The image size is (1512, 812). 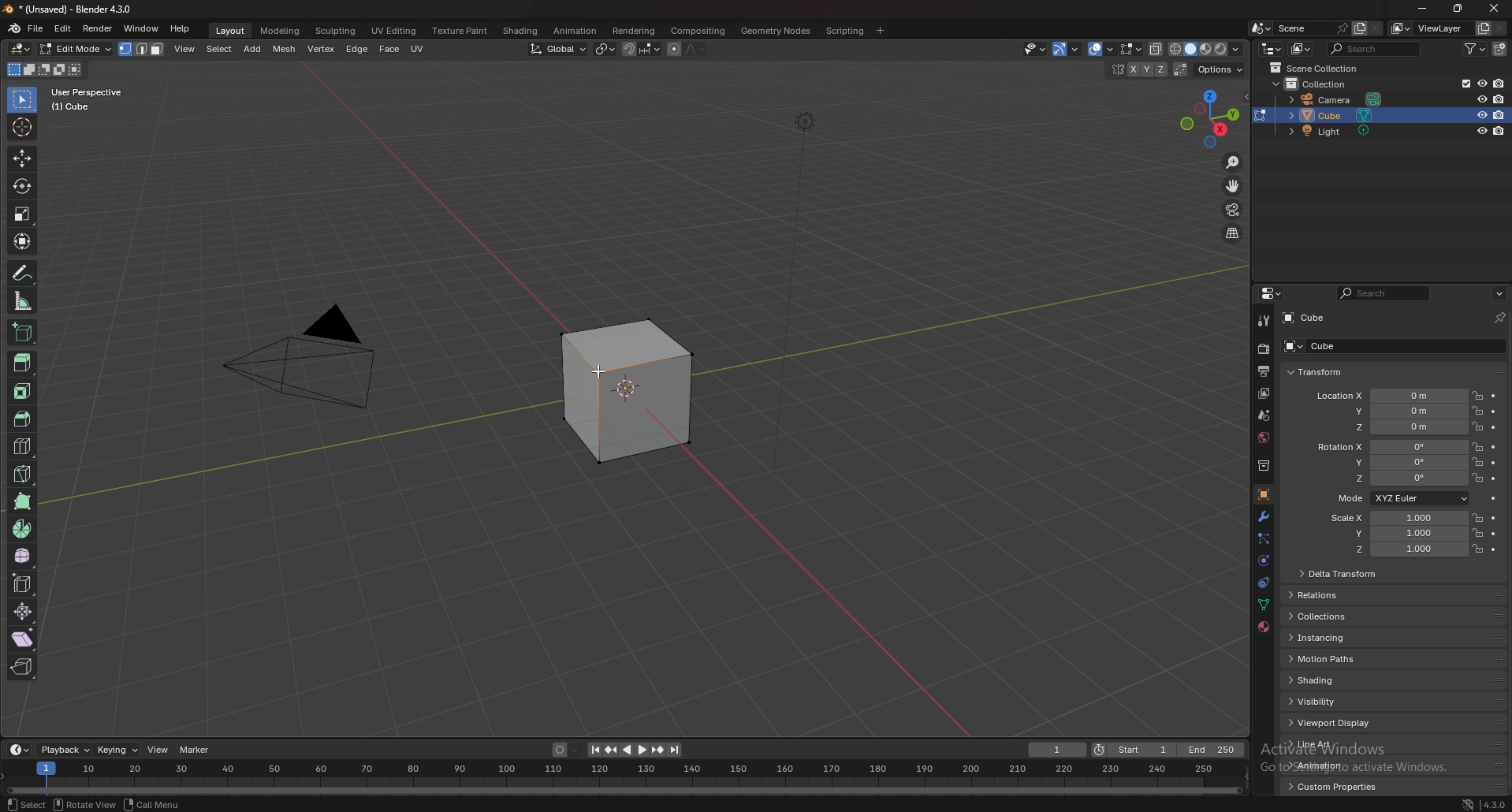 I want to click on lock location, so click(x=1479, y=447).